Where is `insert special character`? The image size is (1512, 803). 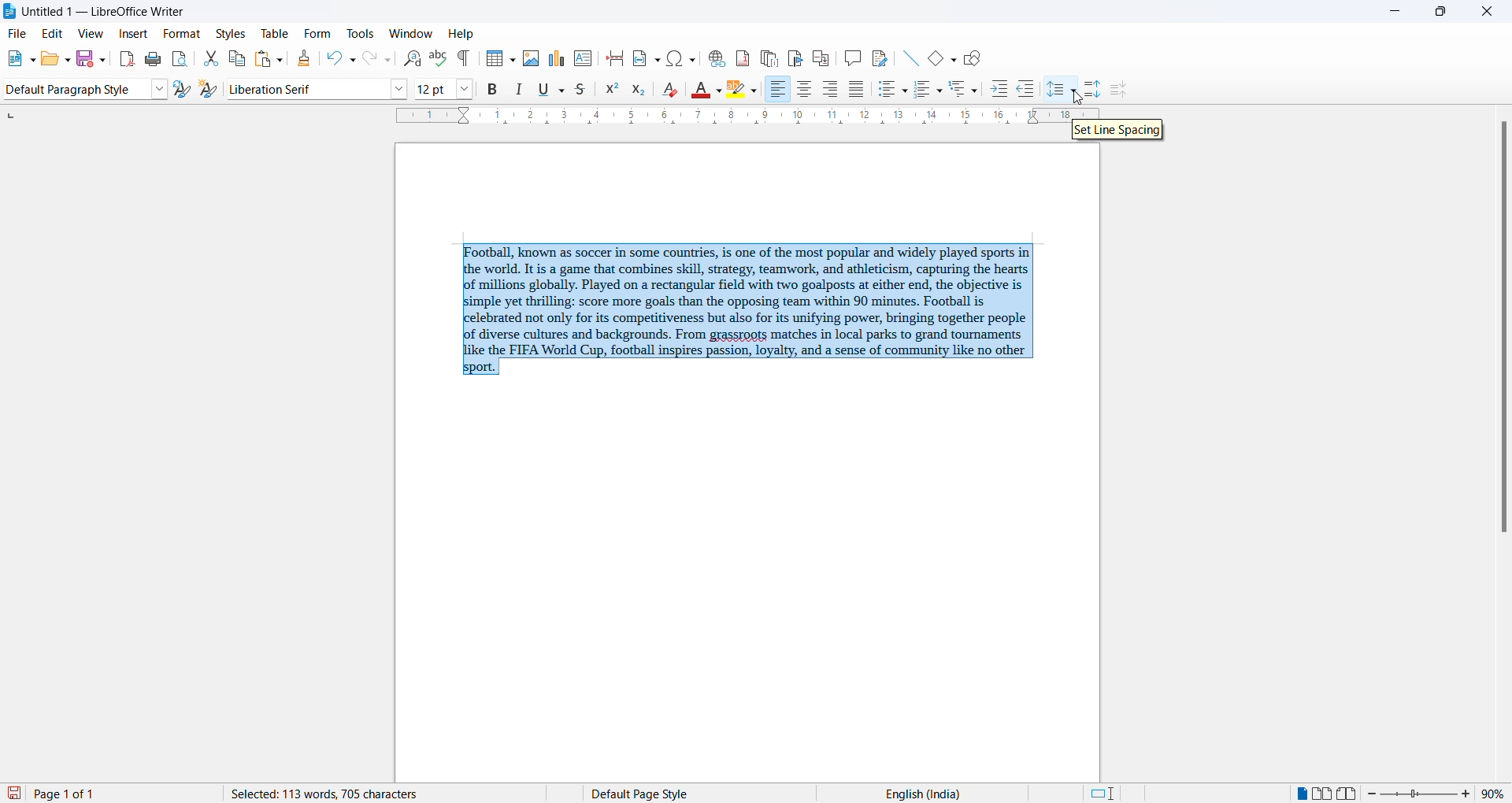 insert special character is located at coordinates (680, 60).